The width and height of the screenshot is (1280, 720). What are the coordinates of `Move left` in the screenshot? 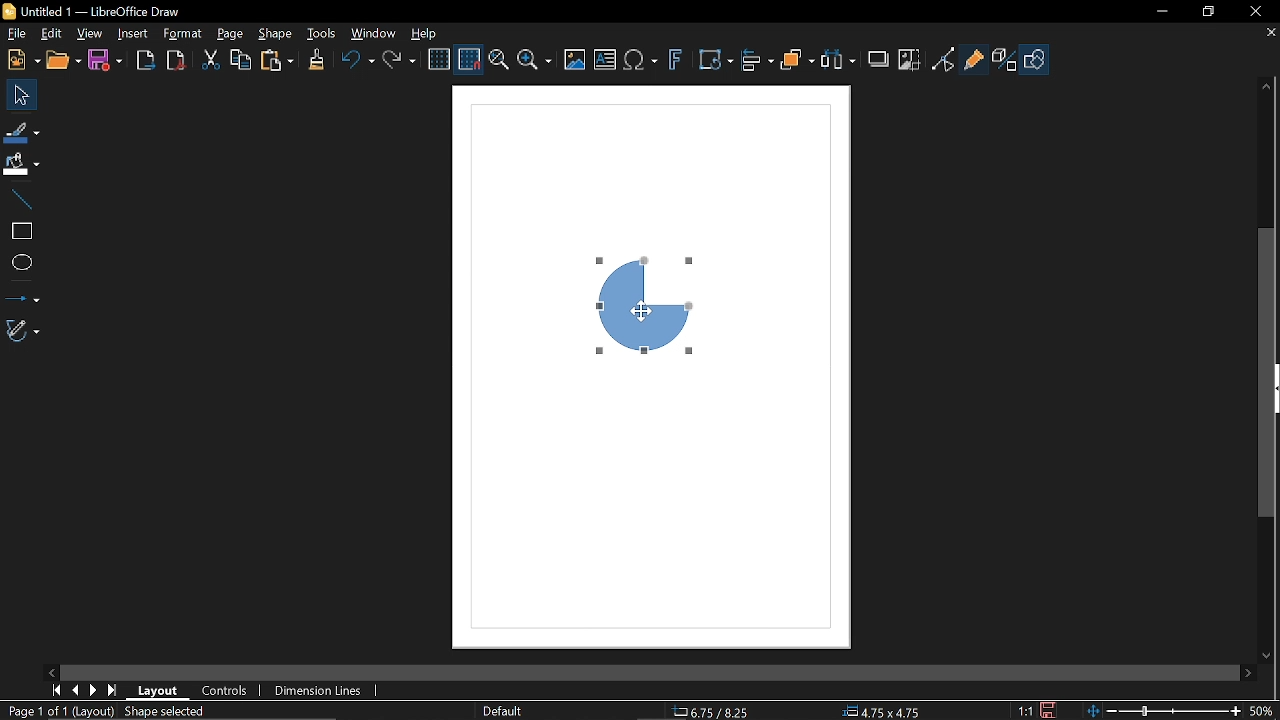 It's located at (51, 670).